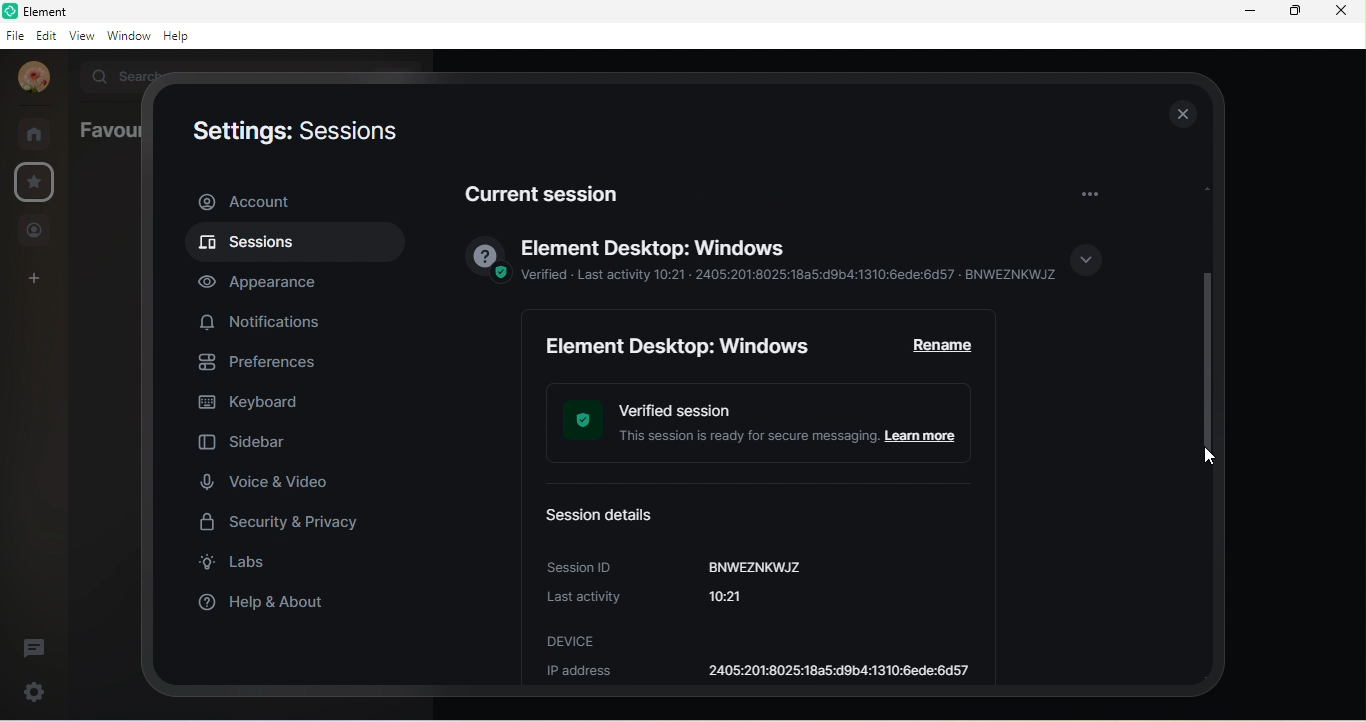 This screenshot has width=1366, height=722. I want to click on labs, so click(241, 565).